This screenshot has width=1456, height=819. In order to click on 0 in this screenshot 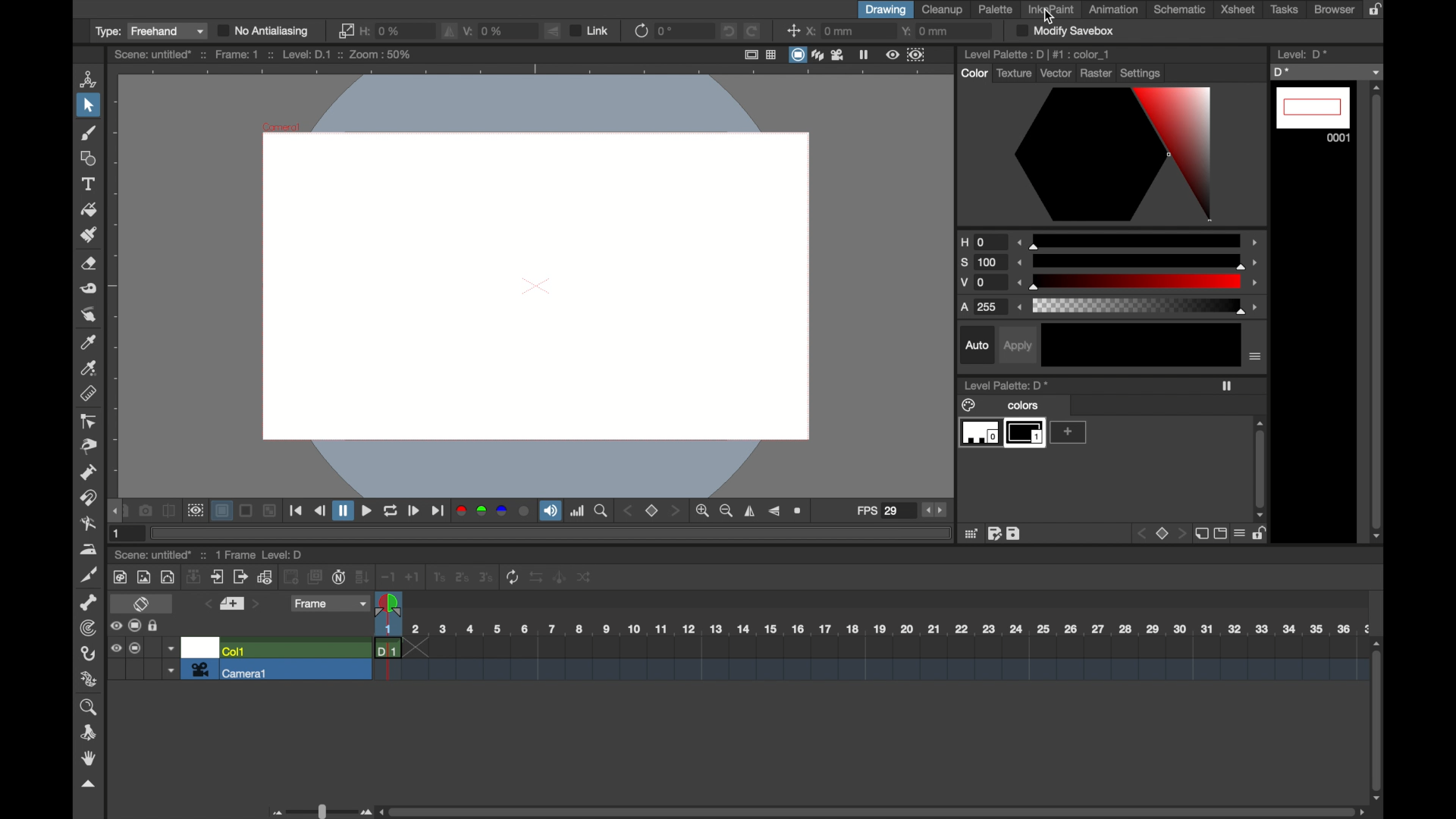, I will do `click(381, 31)`.